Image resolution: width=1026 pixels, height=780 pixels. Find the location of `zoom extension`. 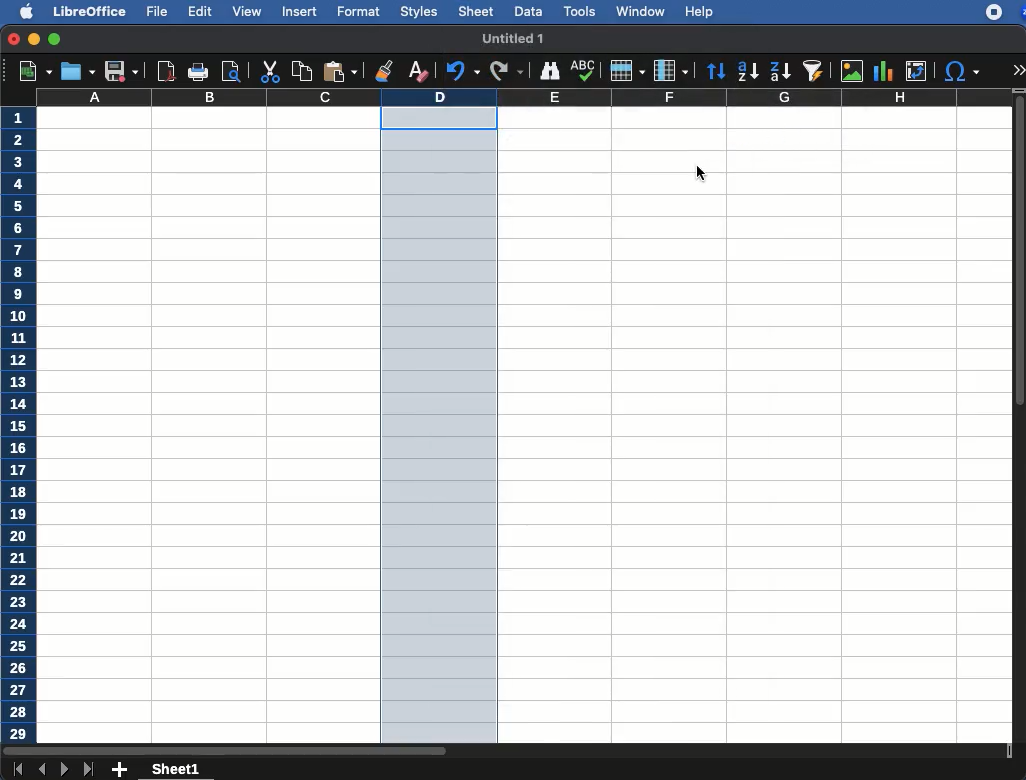

zoom extension is located at coordinates (1020, 12).